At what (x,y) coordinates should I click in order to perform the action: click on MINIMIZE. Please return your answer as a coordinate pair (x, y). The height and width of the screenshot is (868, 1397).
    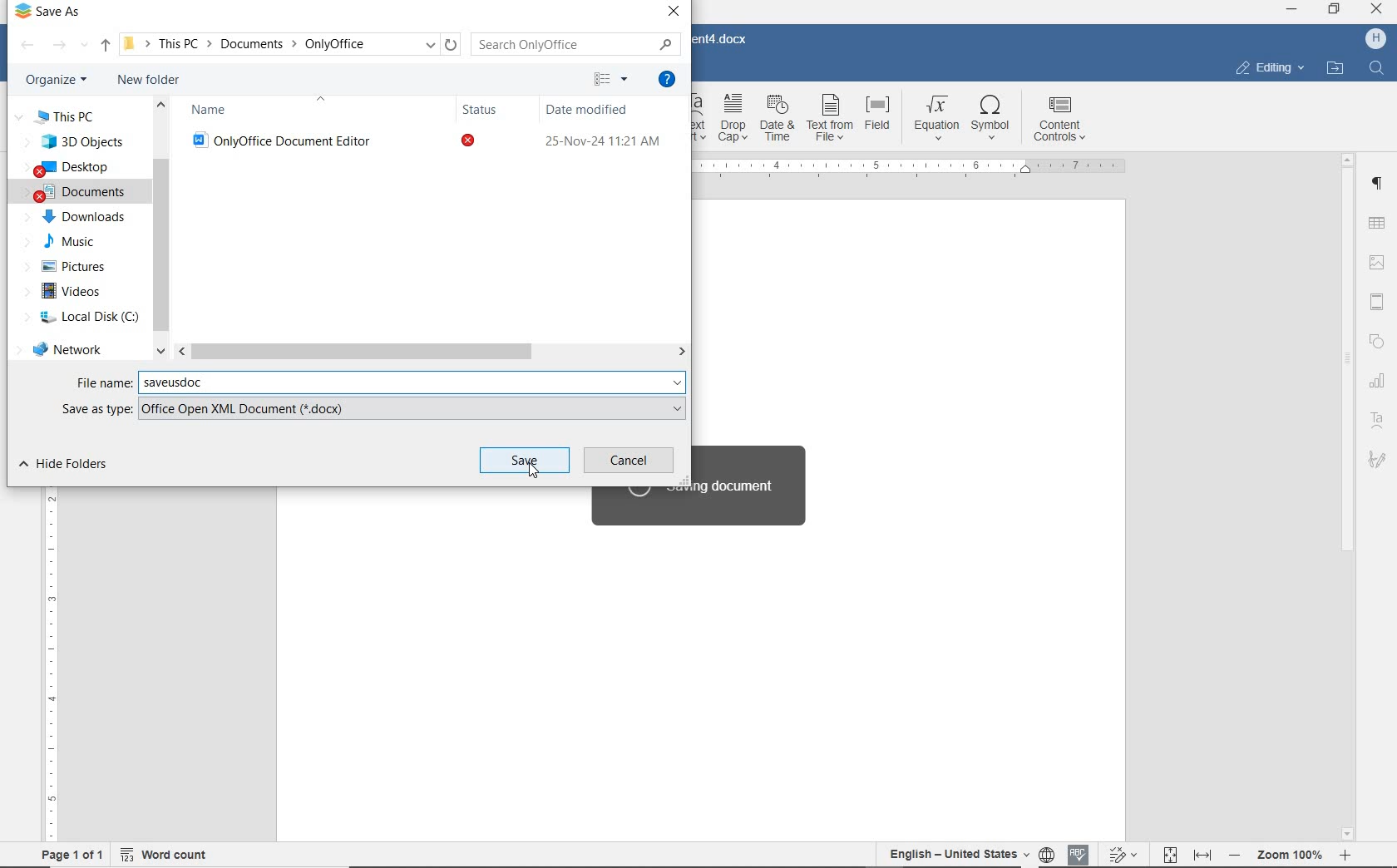
    Looking at the image, I should click on (1291, 10).